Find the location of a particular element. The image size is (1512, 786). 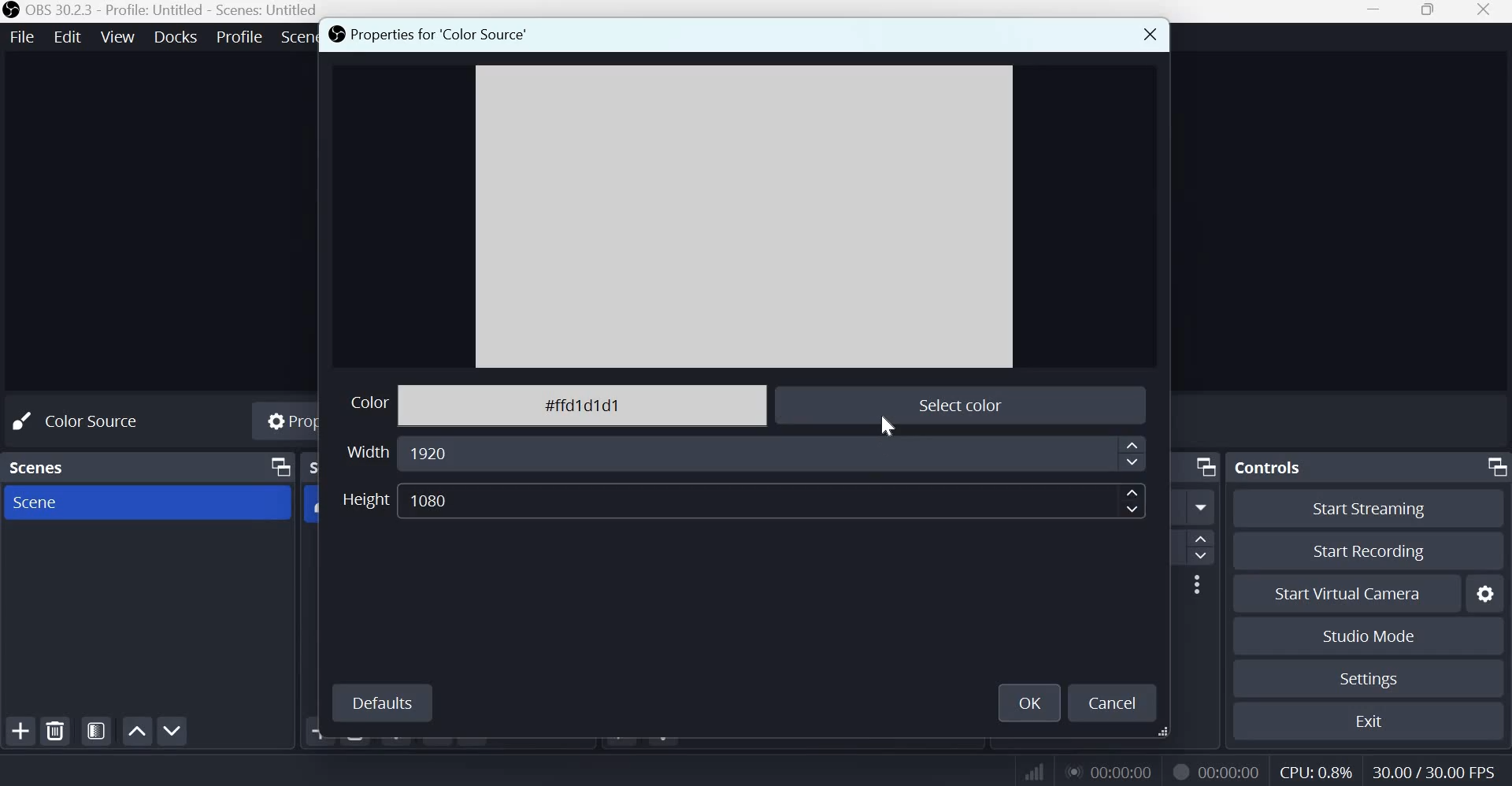

File is located at coordinates (26, 35).